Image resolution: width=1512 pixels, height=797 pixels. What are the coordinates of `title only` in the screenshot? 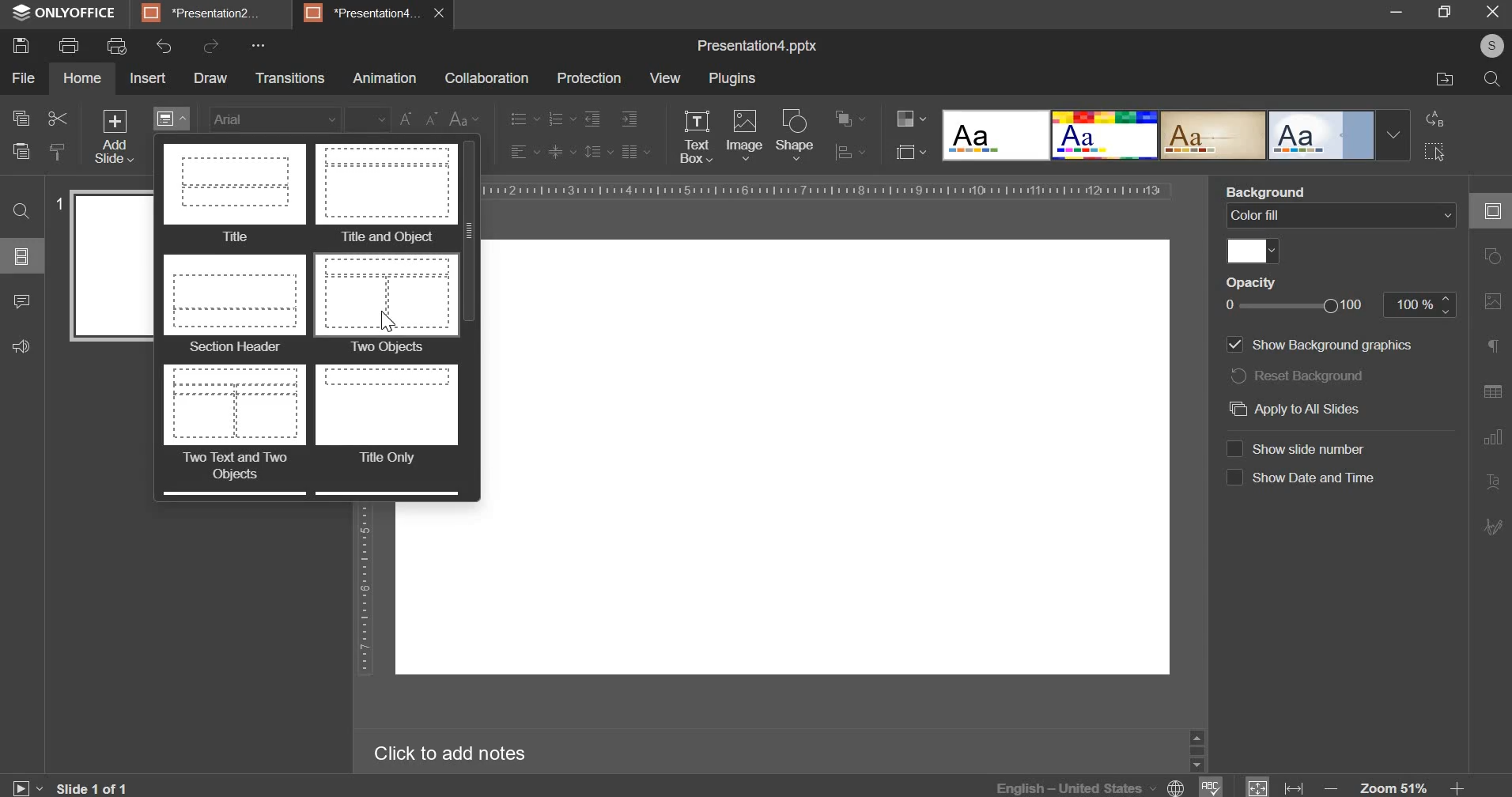 It's located at (386, 421).